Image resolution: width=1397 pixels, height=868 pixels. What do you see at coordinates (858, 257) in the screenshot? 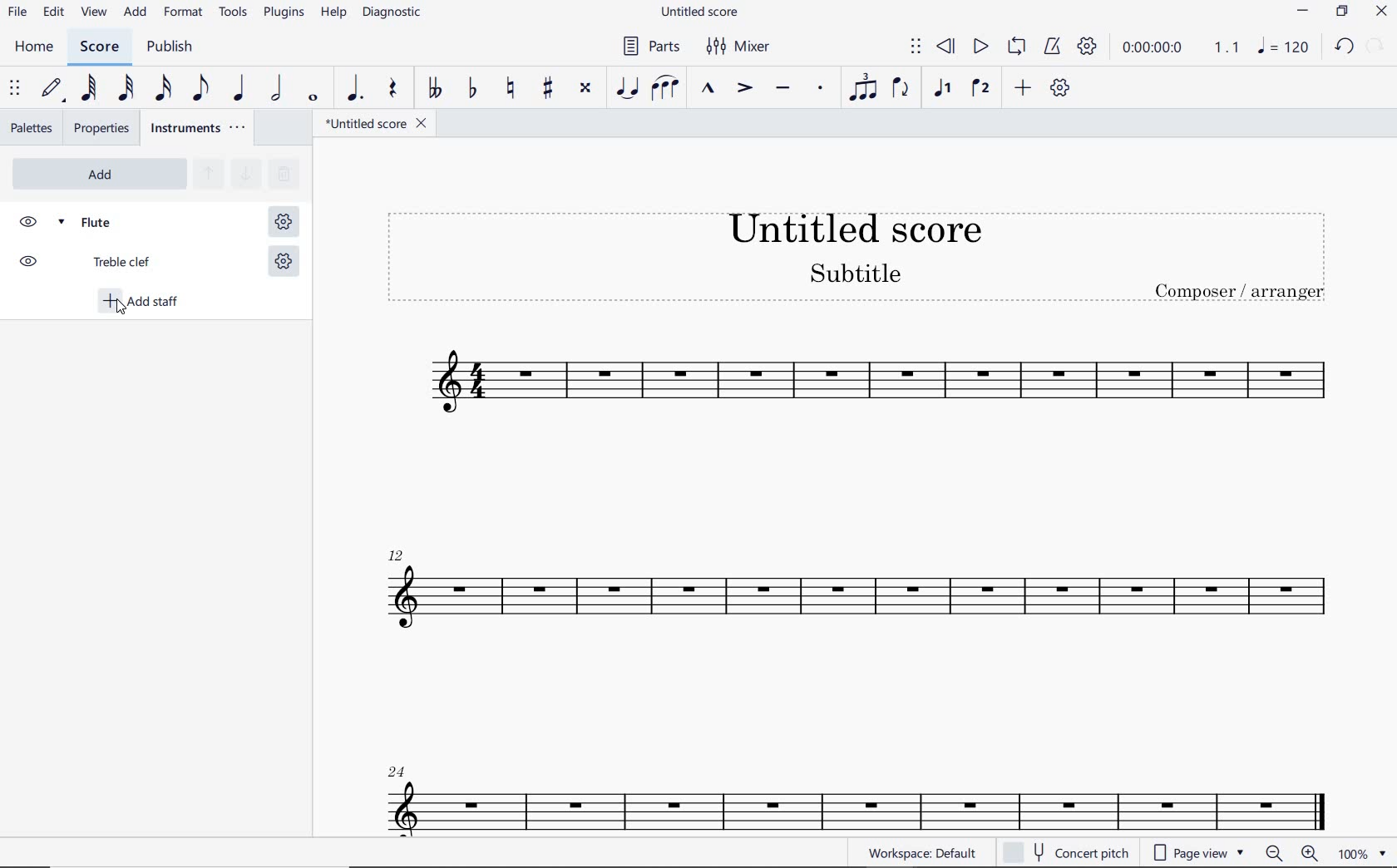
I see `Title` at bounding box center [858, 257].